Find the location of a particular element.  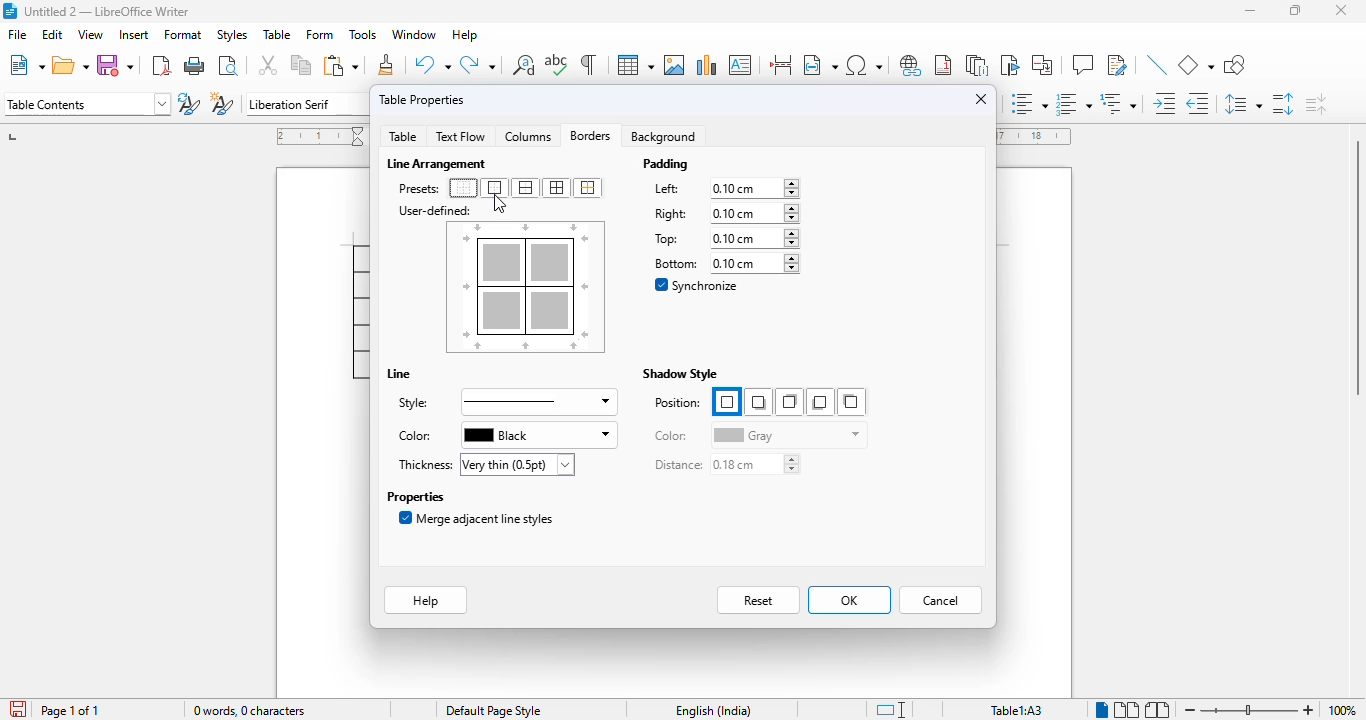

logo is located at coordinates (9, 11).